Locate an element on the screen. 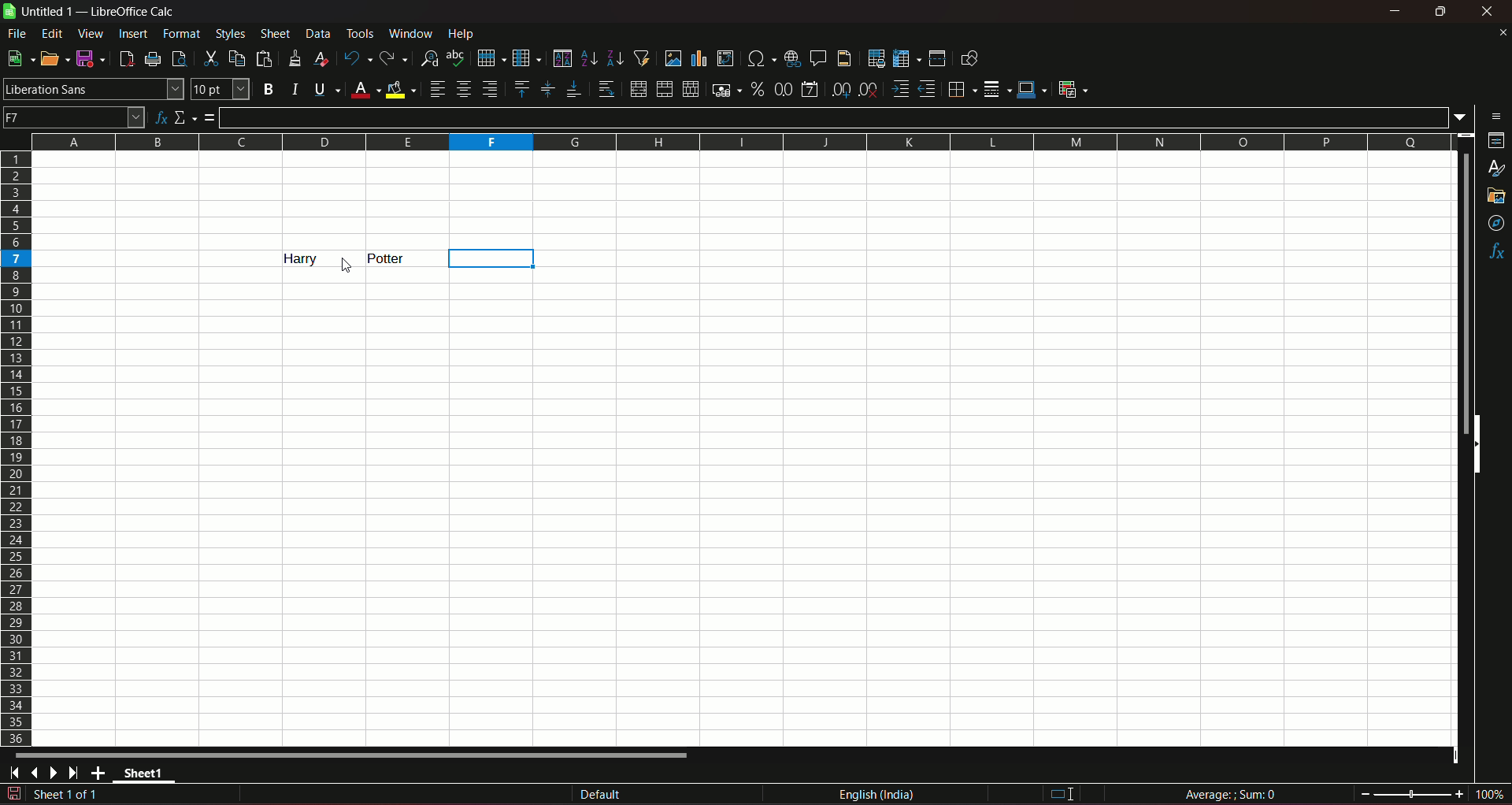 The height and width of the screenshot is (805, 1512). column highlight is located at coordinates (488, 258).